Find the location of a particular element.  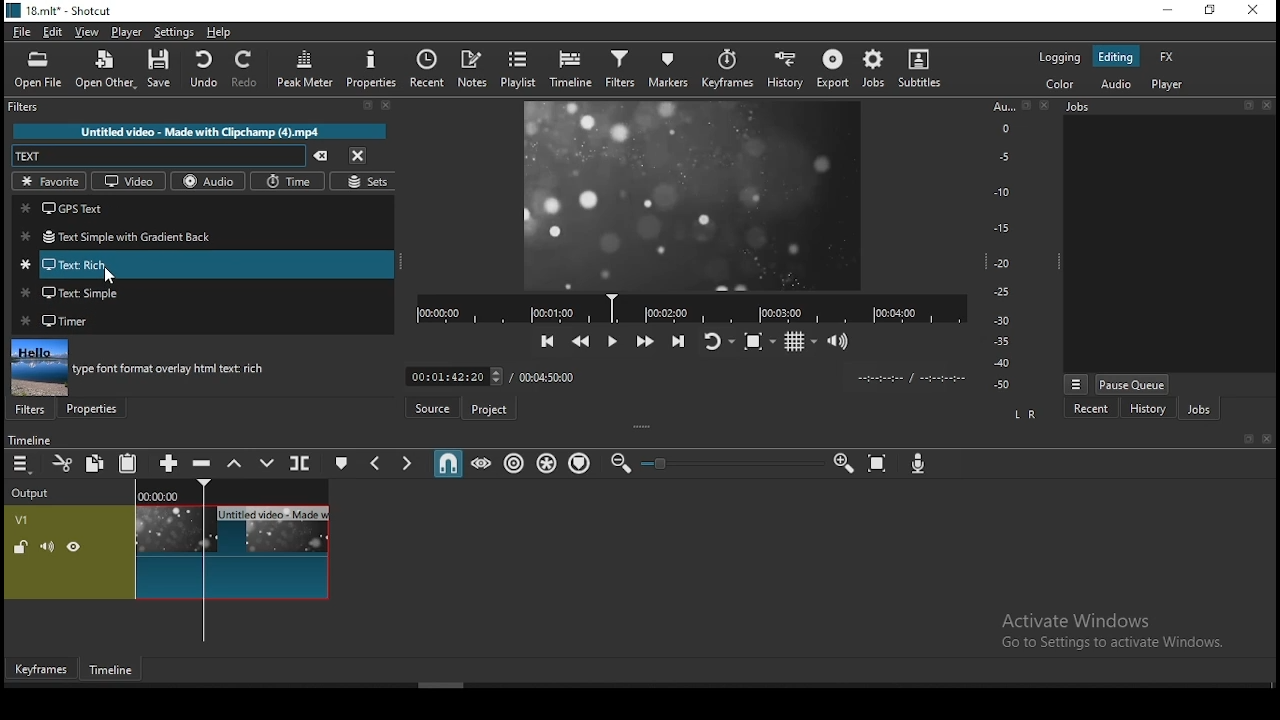

minimize is located at coordinates (1171, 9).